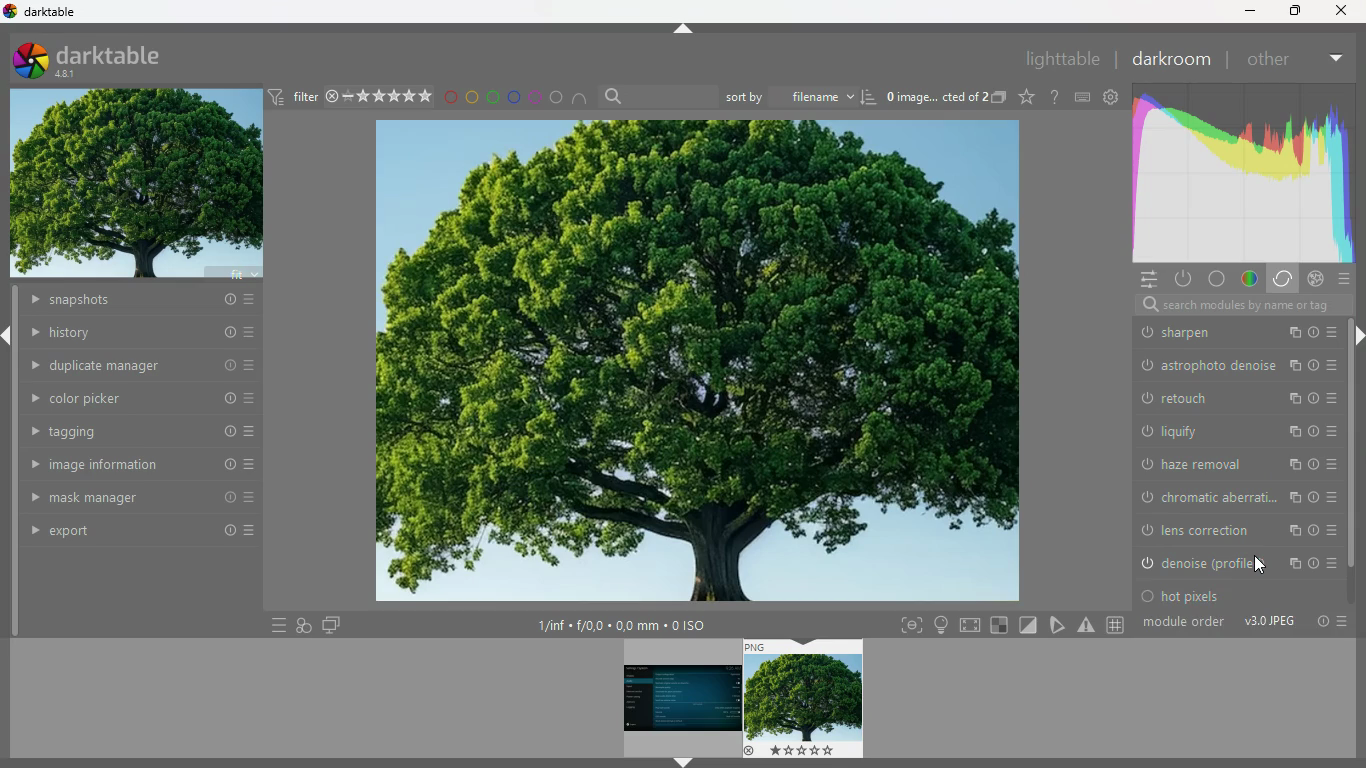  What do you see at coordinates (1313, 329) in the screenshot?
I see `more` at bounding box center [1313, 329].